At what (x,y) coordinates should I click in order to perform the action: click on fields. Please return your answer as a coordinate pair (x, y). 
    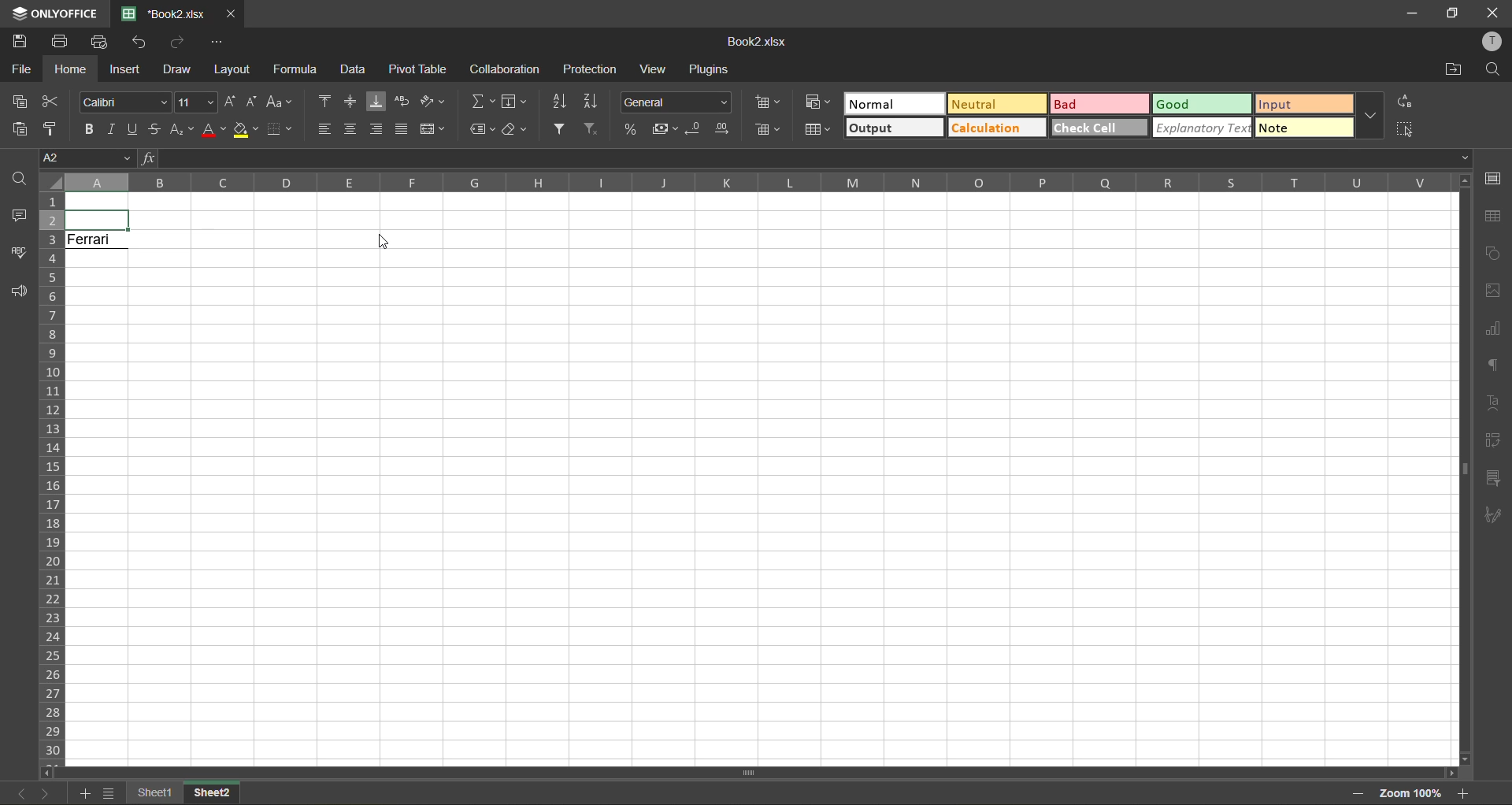
    Looking at the image, I should click on (517, 101).